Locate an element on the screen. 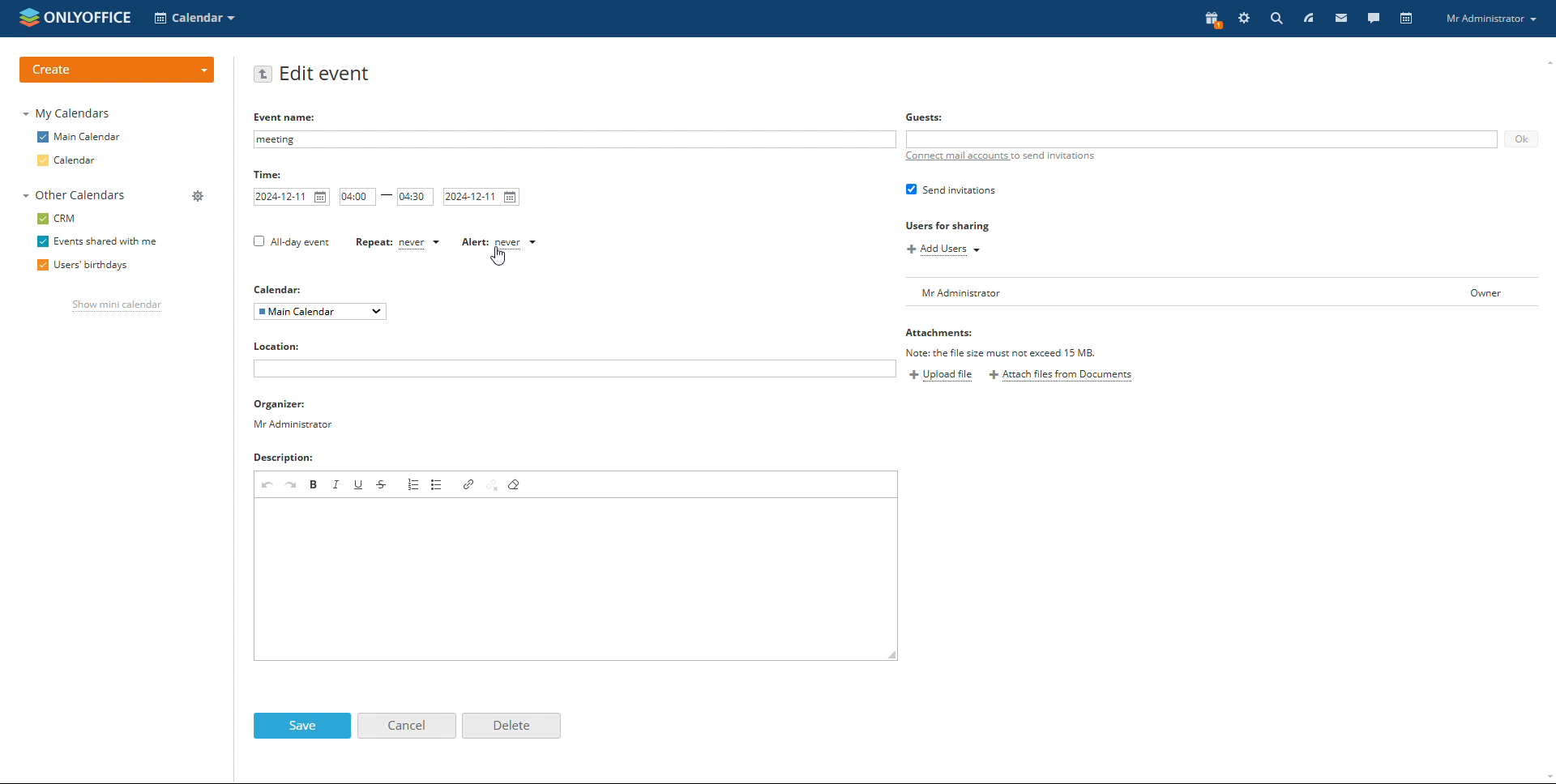 This screenshot has width=1556, height=784. send invitations is located at coordinates (951, 190).